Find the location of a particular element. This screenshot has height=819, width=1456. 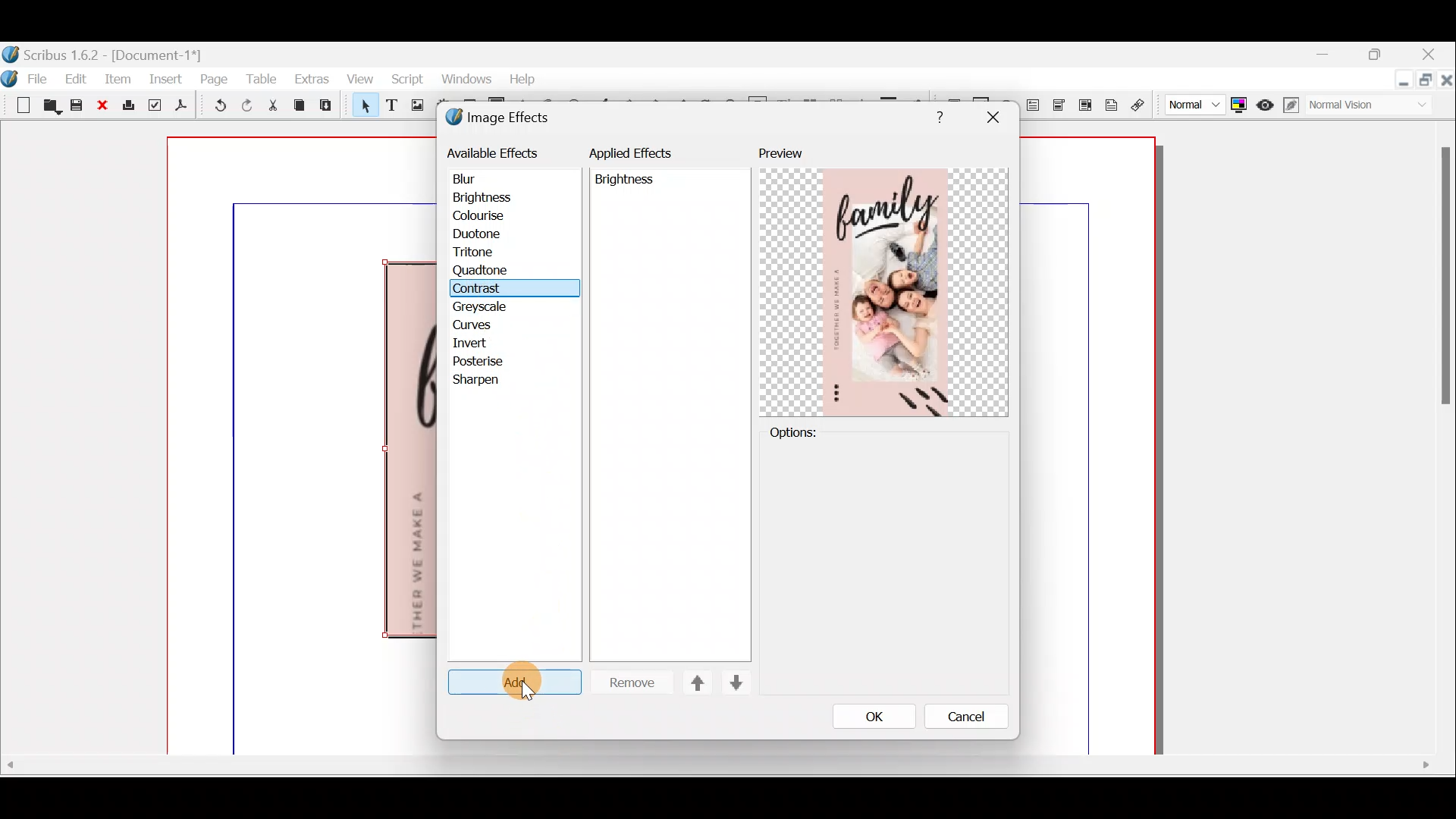

Brightness is located at coordinates (502, 198).